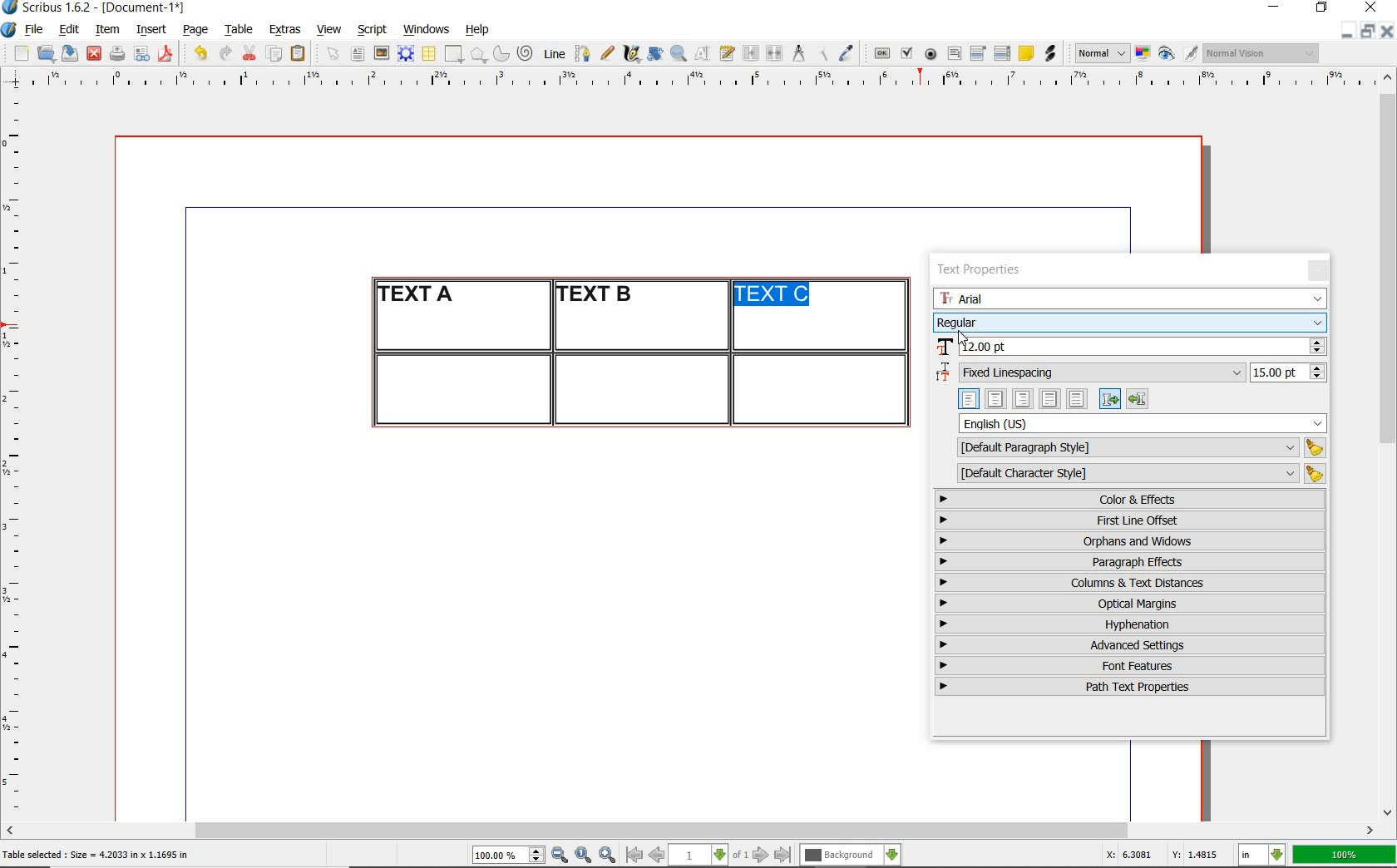 The width and height of the screenshot is (1397, 868). Describe the element at coordinates (1262, 856) in the screenshot. I see `select the current unit` at that location.